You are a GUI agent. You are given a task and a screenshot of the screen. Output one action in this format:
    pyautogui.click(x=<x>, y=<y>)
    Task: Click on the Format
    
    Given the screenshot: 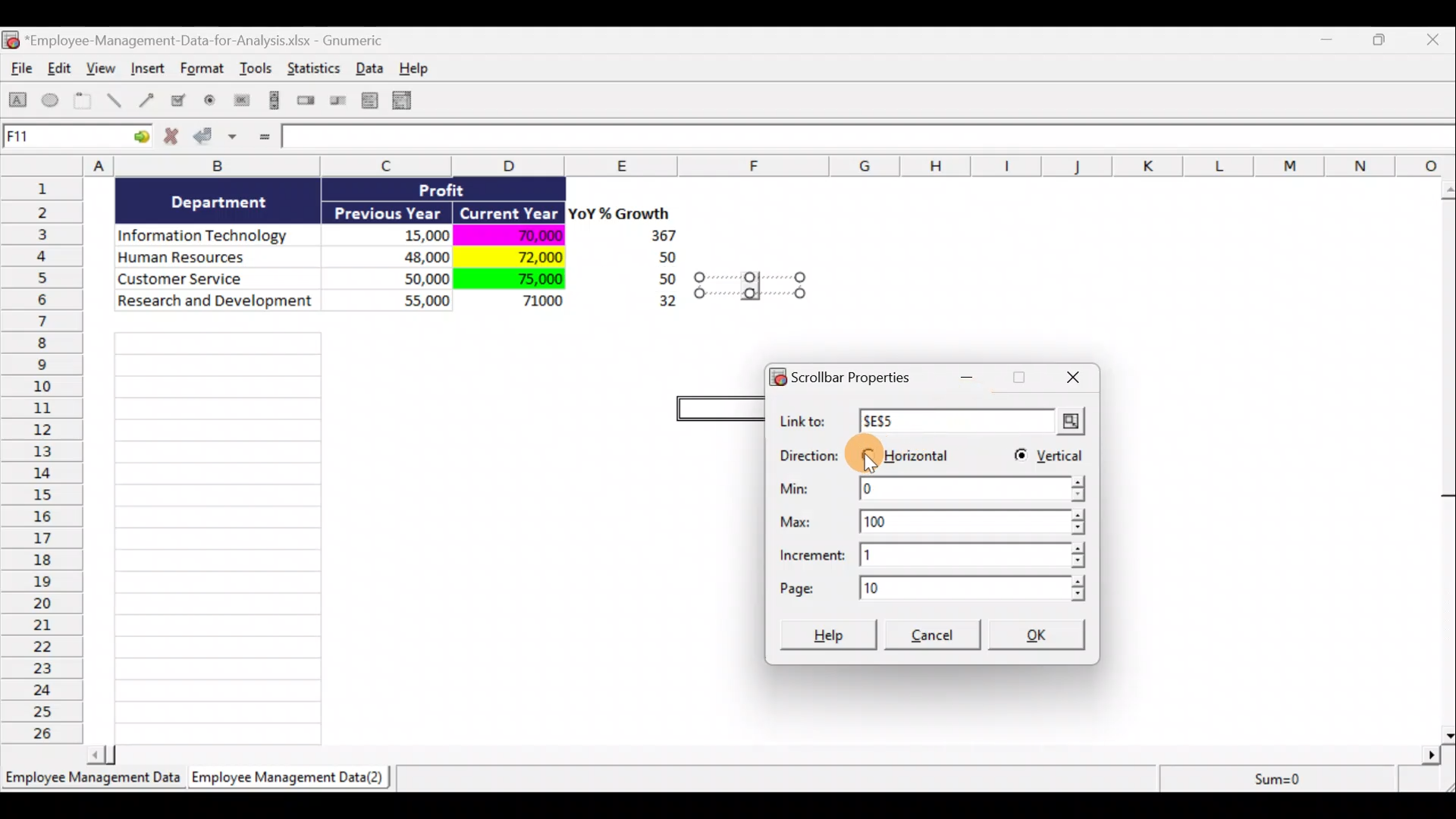 What is the action you would take?
    pyautogui.click(x=204, y=71)
    